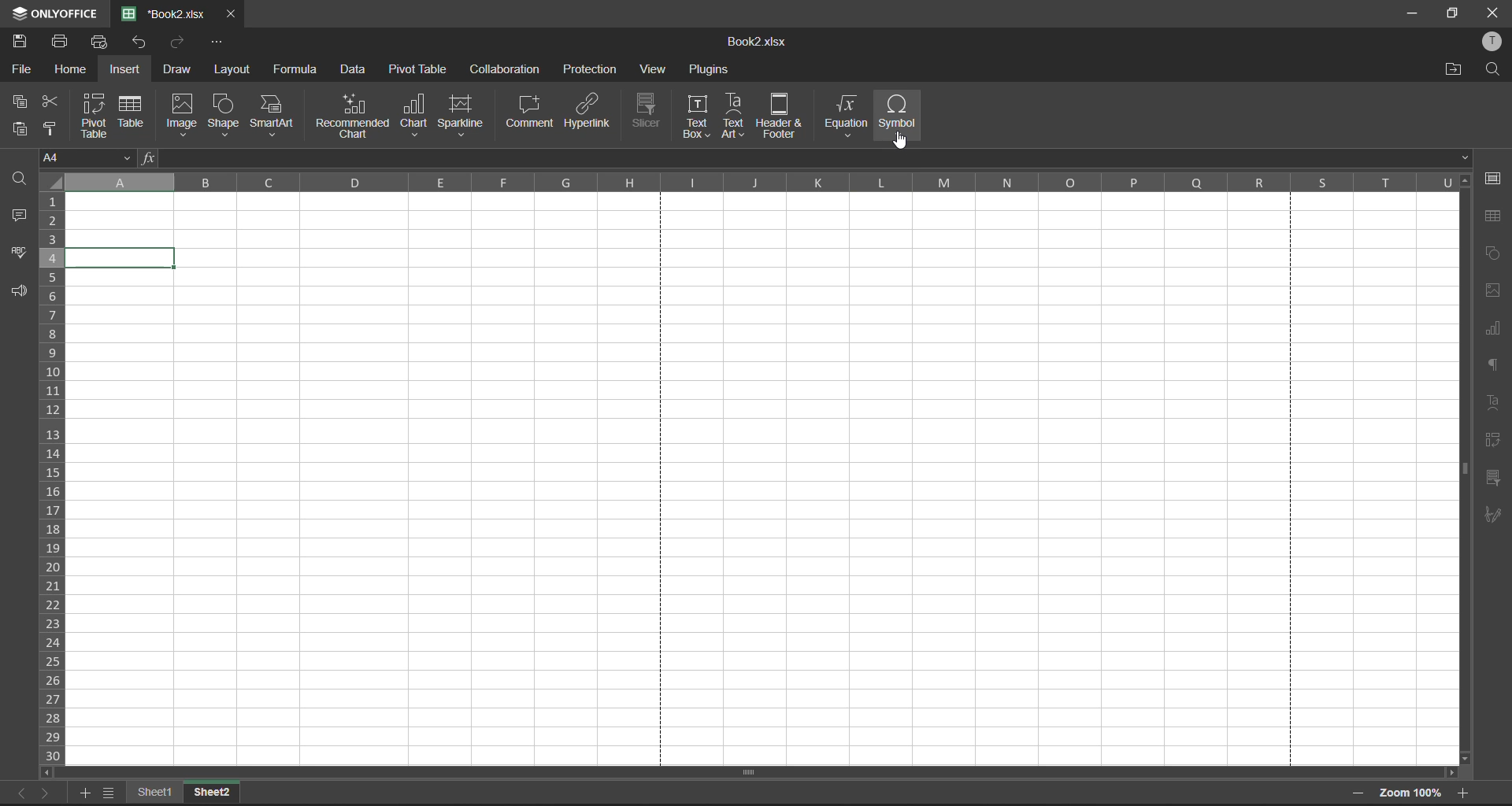  What do you see at coordinates (21, 102) in the screenshot?
I see `copy` at bounding box center [21, 102].